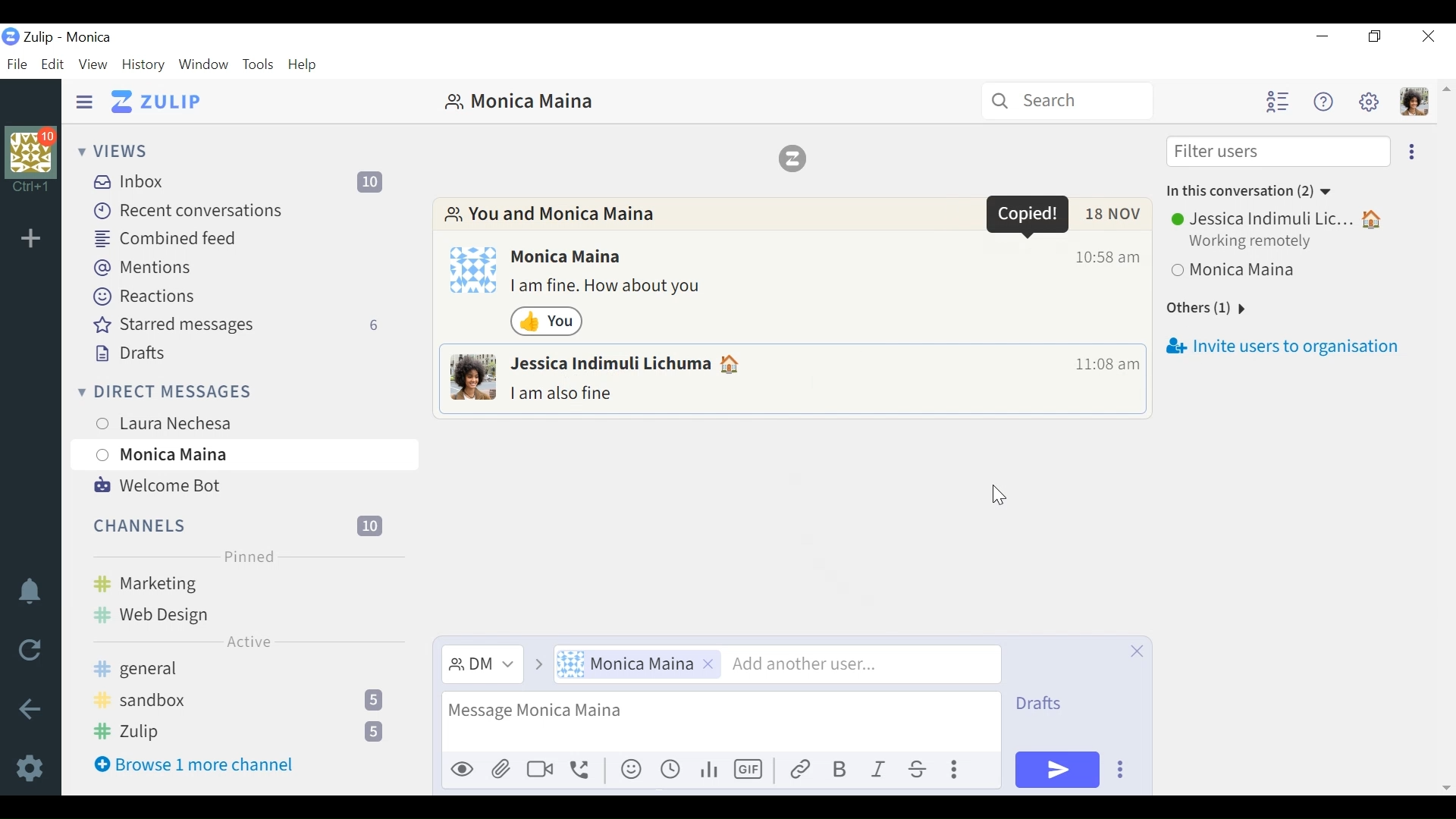  Describe the element at coordinates (306, 63) in the screenshot. I see `Help` at that location.